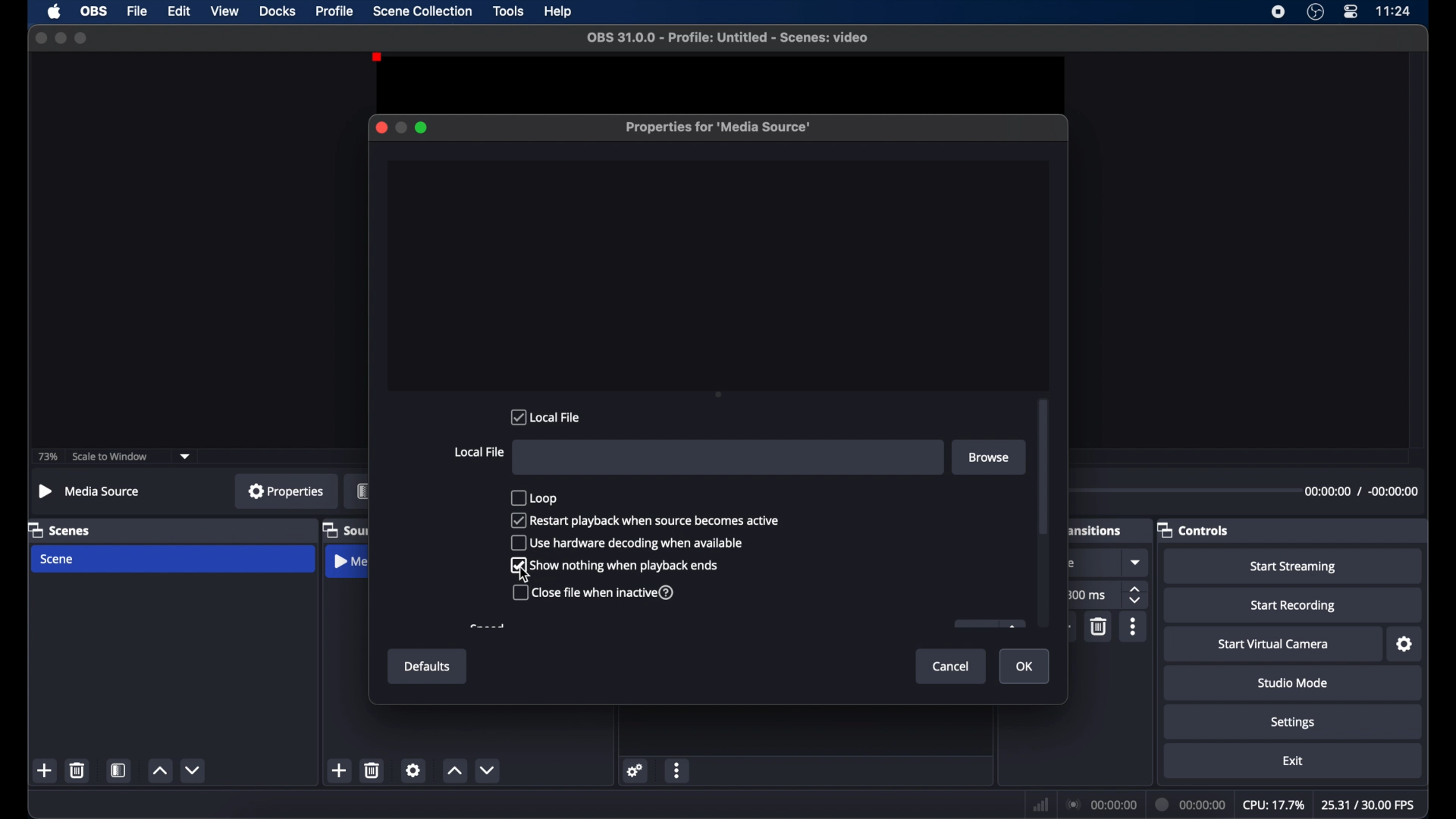 The image size is (1456, 819). What do you see at coordinates (110, 457) in the screenshot?
I see `scale to window` at bounding box center [110, 457].